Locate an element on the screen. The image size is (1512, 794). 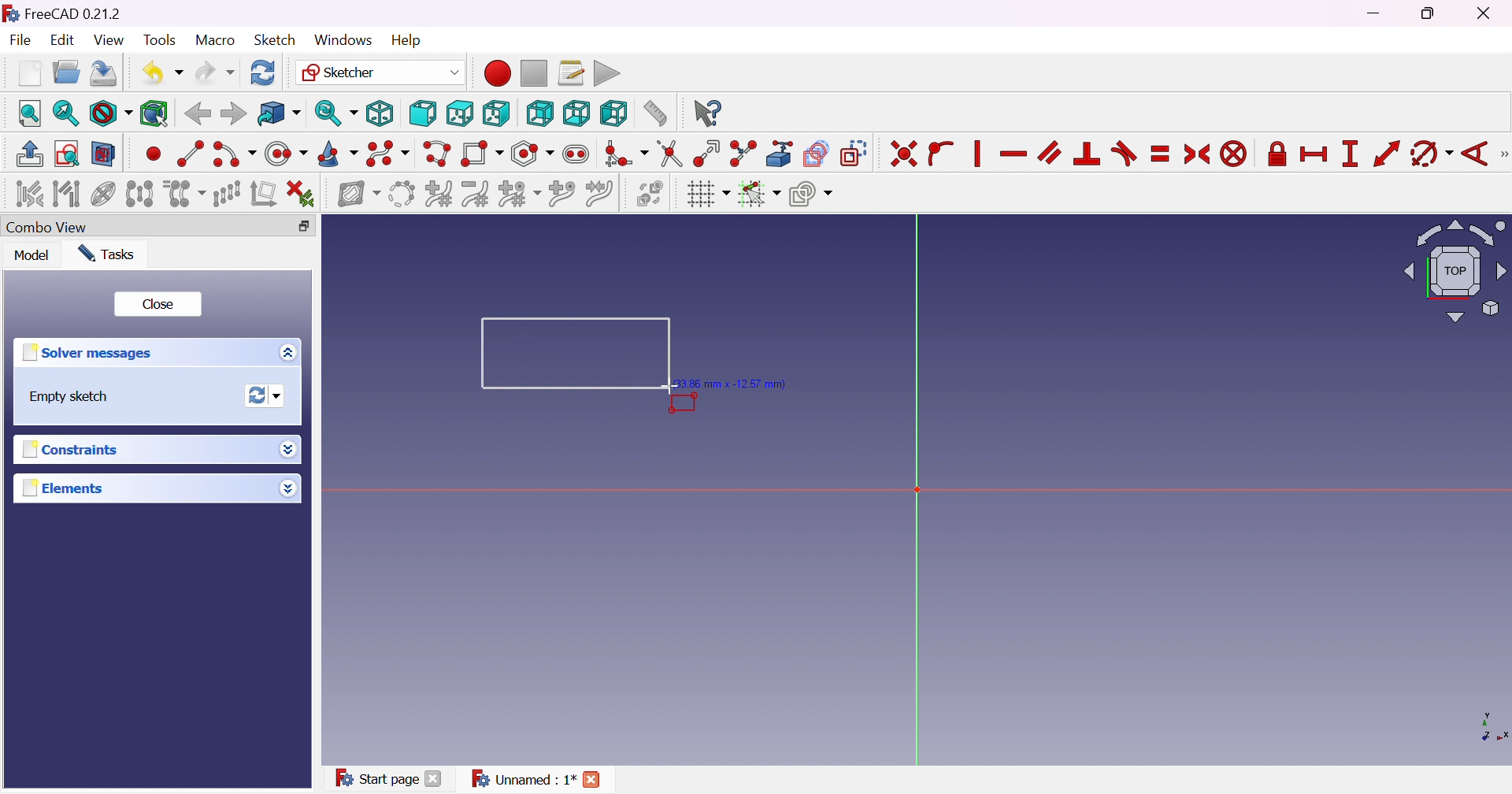
Constrain symmertical is located at coordinates (1198, 154).